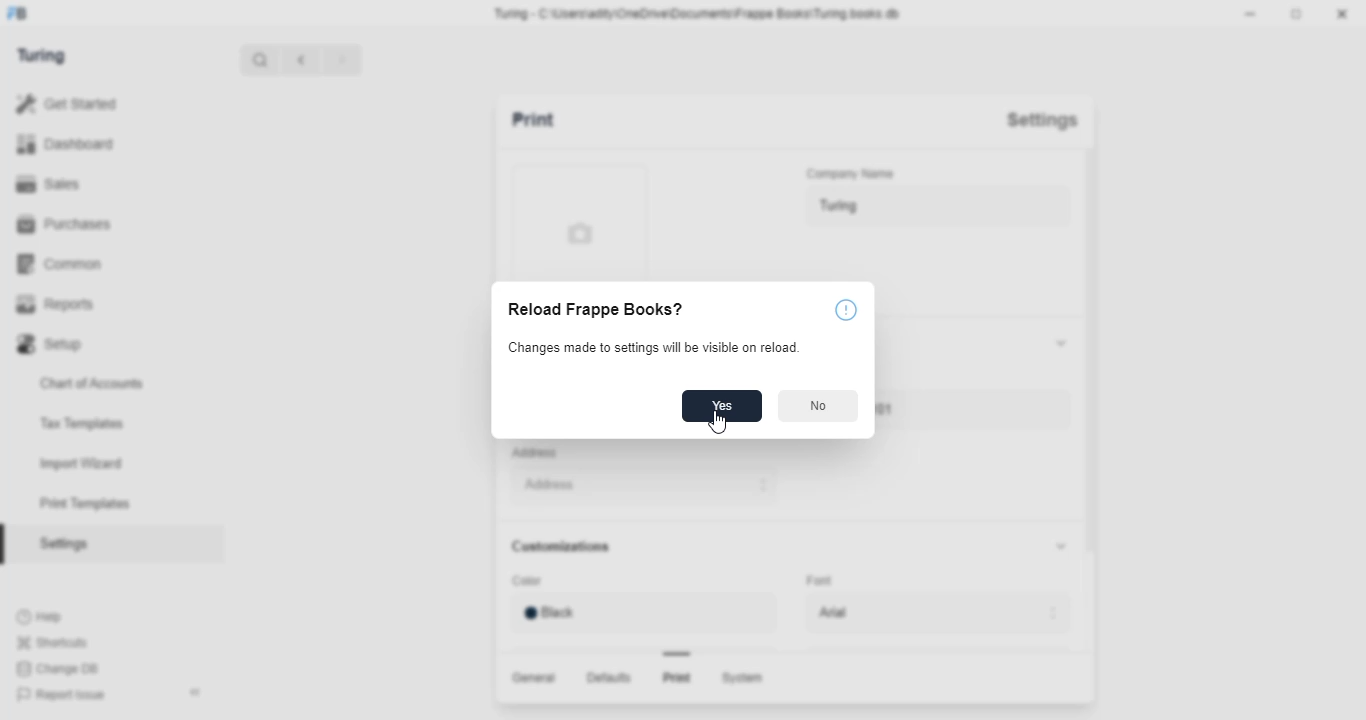 Image resolution: width=1366 pixels, height=720 pixels. Describe the element at coordinates (653, 348) in the screenshot. I see `Changes made to settings will be visible on reload.` at that location.